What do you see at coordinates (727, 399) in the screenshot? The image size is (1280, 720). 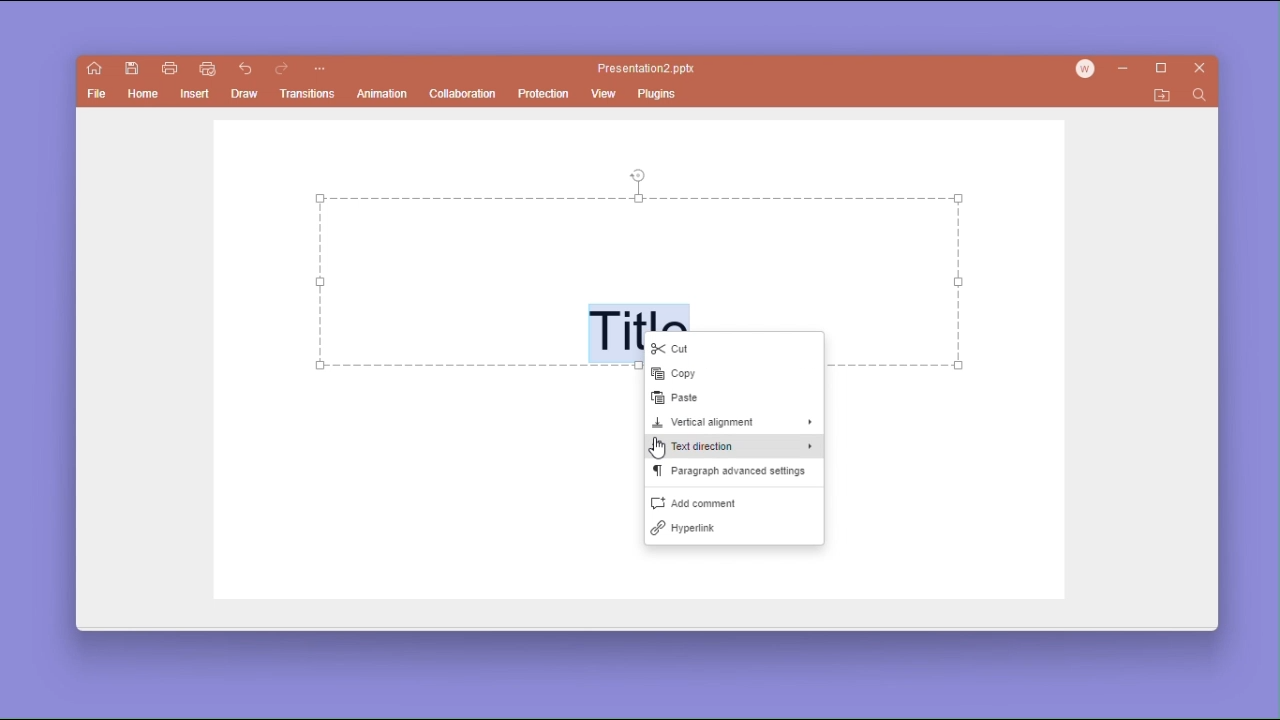 I see `paste` at bounding box center [727, 399].